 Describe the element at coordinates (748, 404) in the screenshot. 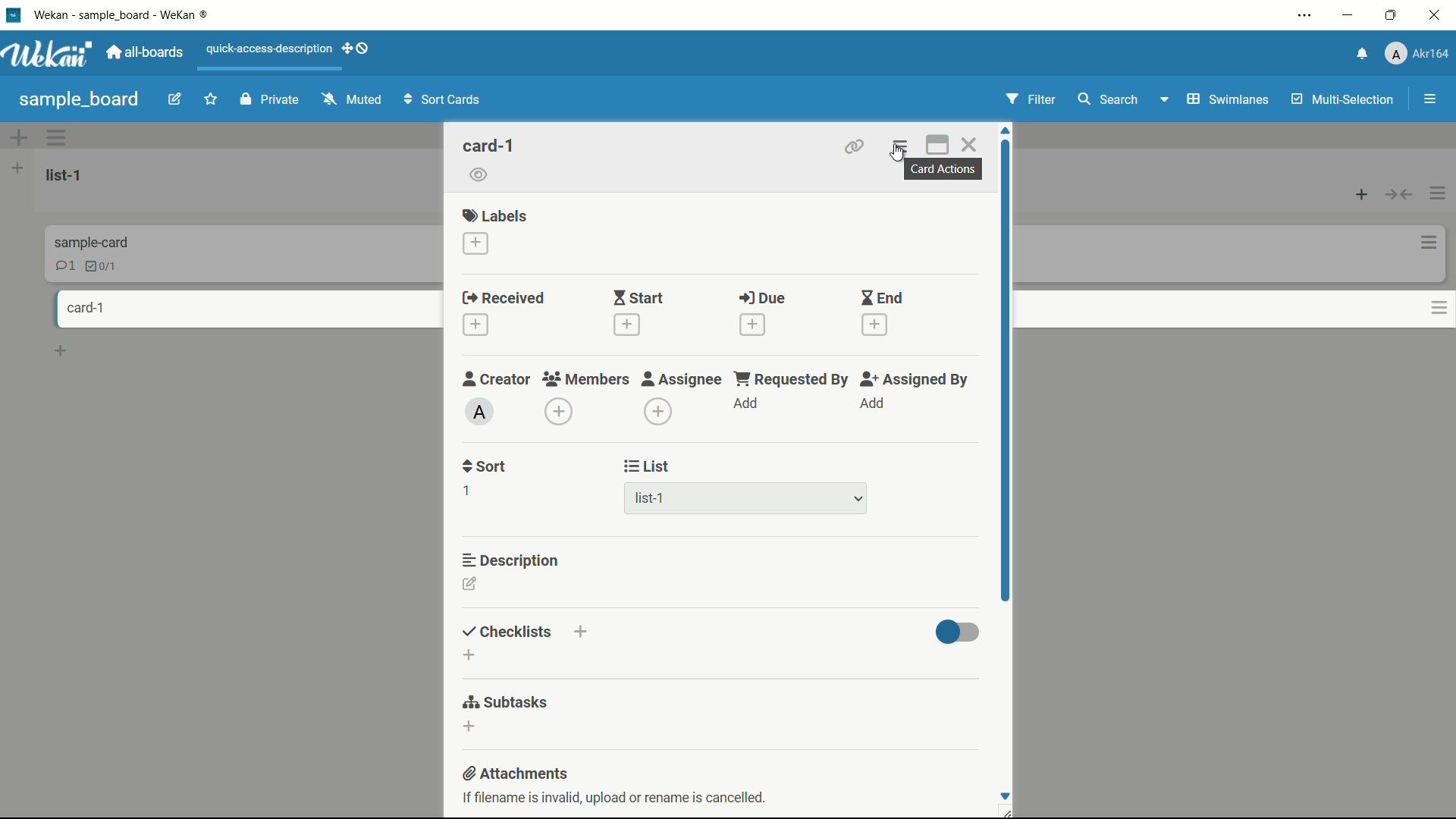

I see `add` at that location.